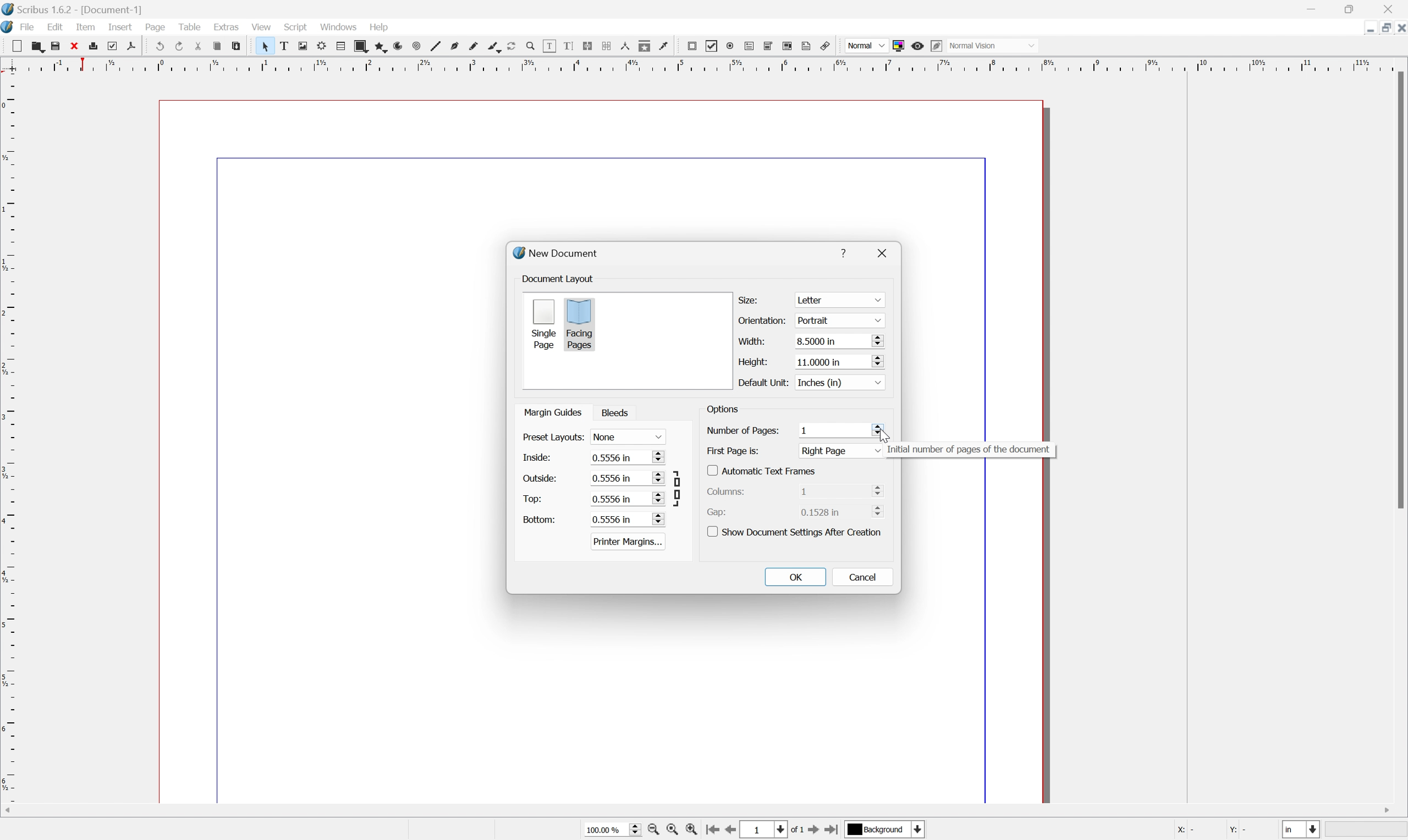  Describe the element at coordinates (885, 830) in the screenshot. I see `Background` at that location.